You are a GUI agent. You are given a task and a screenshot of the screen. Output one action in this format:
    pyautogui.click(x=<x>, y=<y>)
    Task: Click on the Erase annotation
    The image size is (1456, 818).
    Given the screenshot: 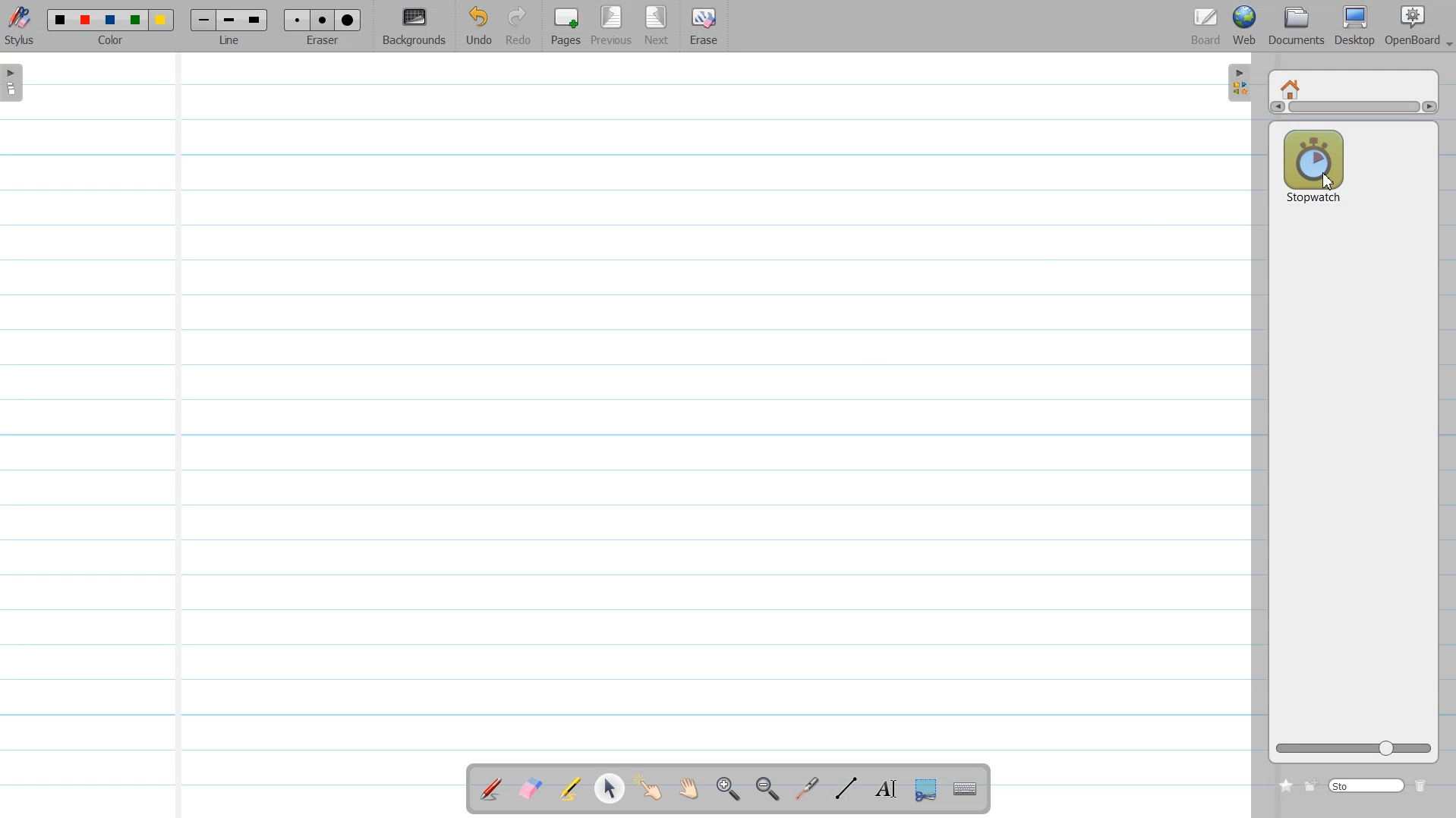 What is the action you would take?
    pyautogui.click(x=529, y=788)
    